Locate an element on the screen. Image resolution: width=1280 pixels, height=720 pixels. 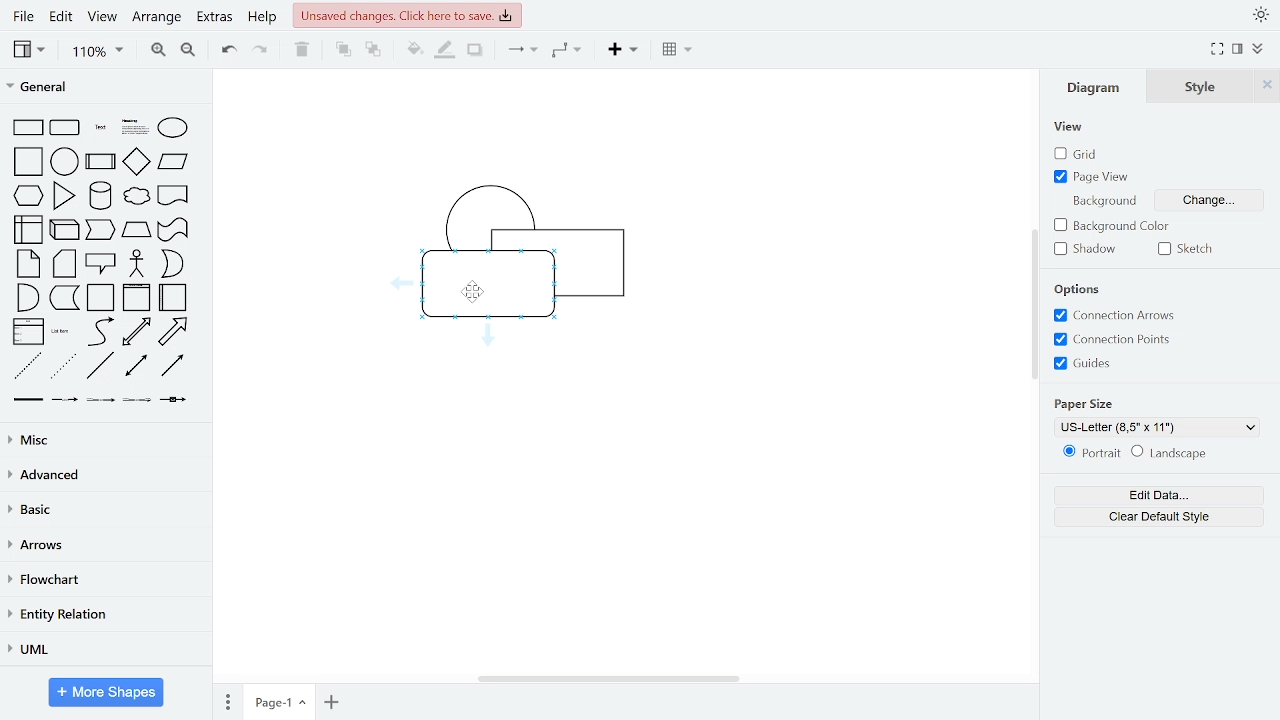
view is located at coordinates (1071, 128).